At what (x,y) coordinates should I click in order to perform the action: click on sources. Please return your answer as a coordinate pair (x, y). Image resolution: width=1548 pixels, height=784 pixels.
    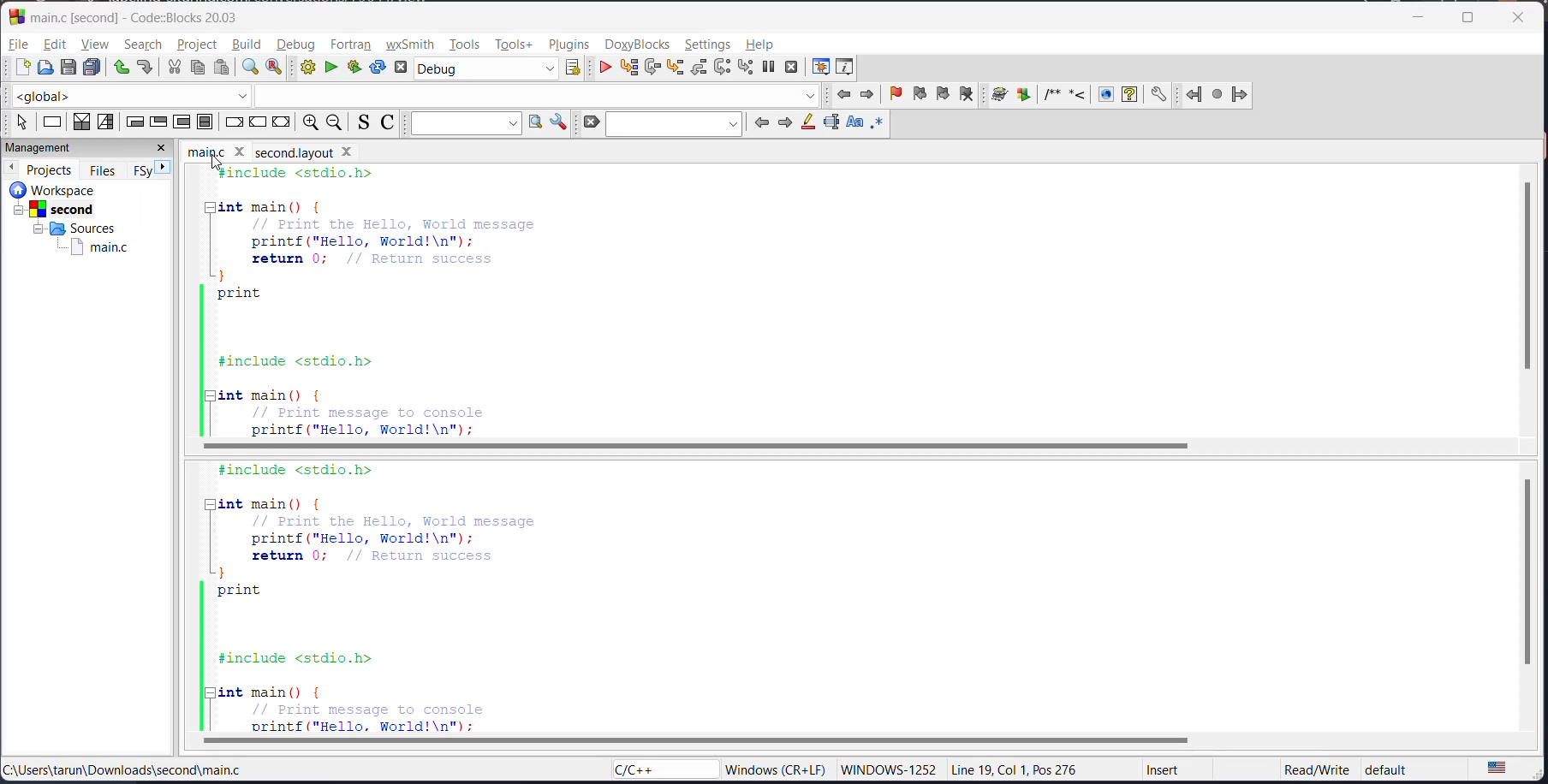
    Looking at the image, I should click on (80, 229).